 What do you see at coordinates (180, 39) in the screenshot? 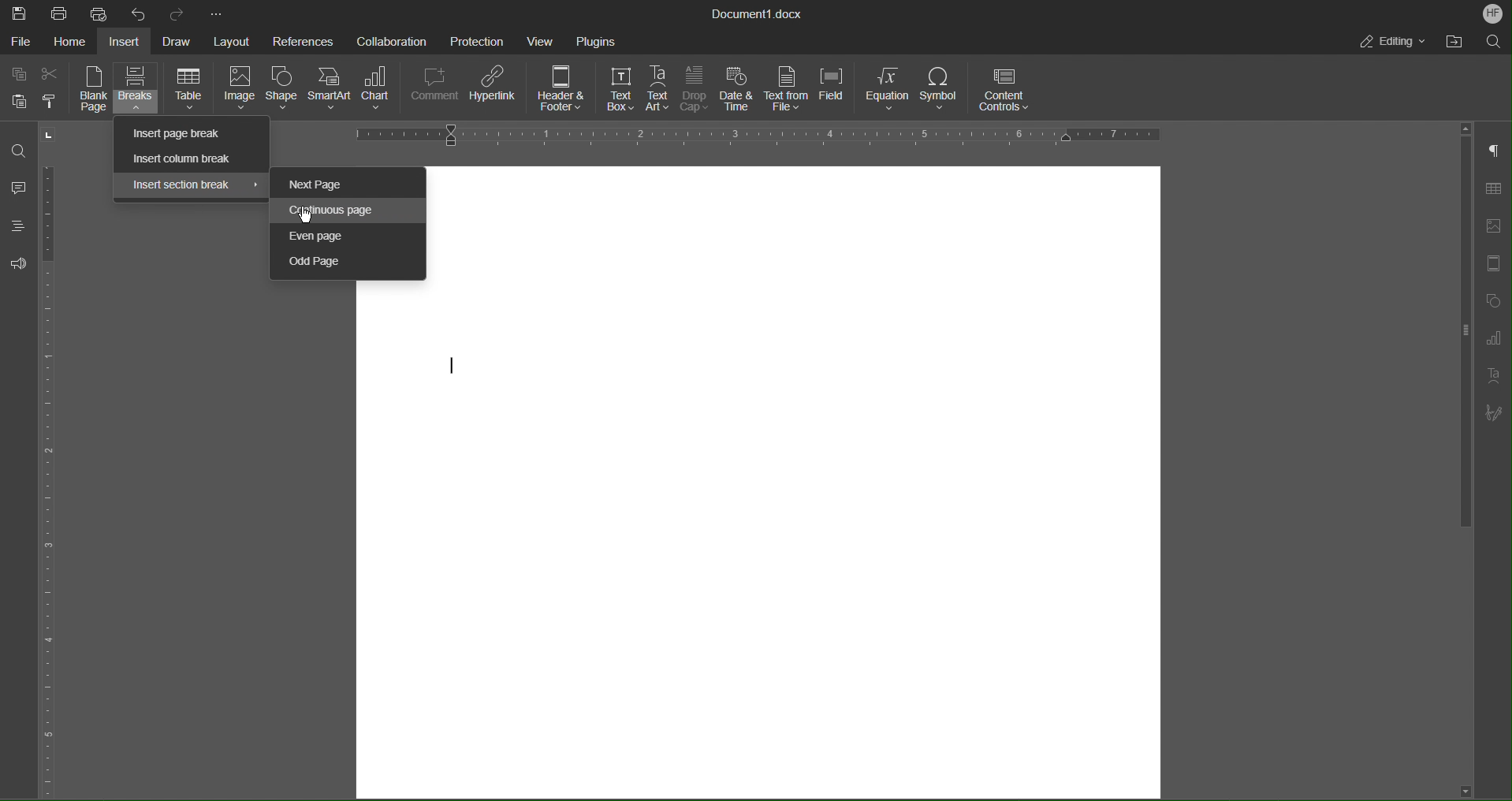
I see `Draw` at bounding box center [180, 39].